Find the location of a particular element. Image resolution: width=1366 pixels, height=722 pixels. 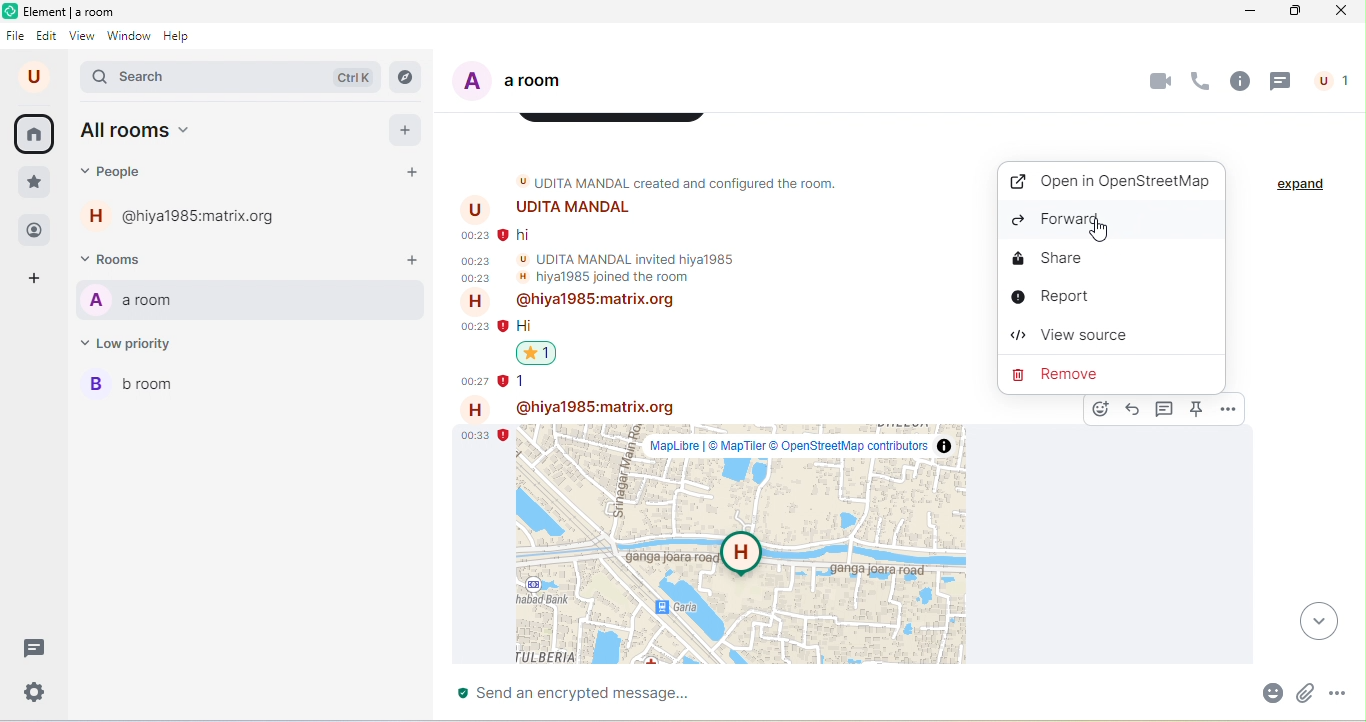

start a chat is located at coordinates (413, 173).